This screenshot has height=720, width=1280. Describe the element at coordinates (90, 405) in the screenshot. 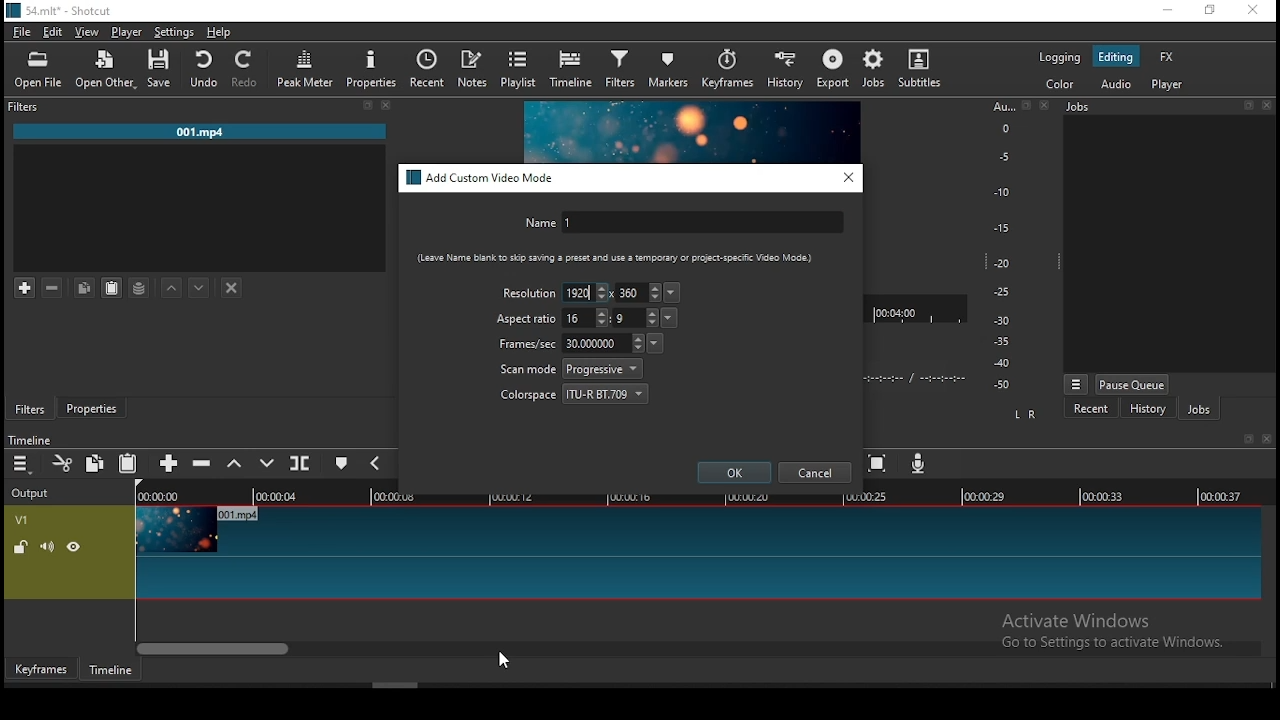

I see `properties` at that location.